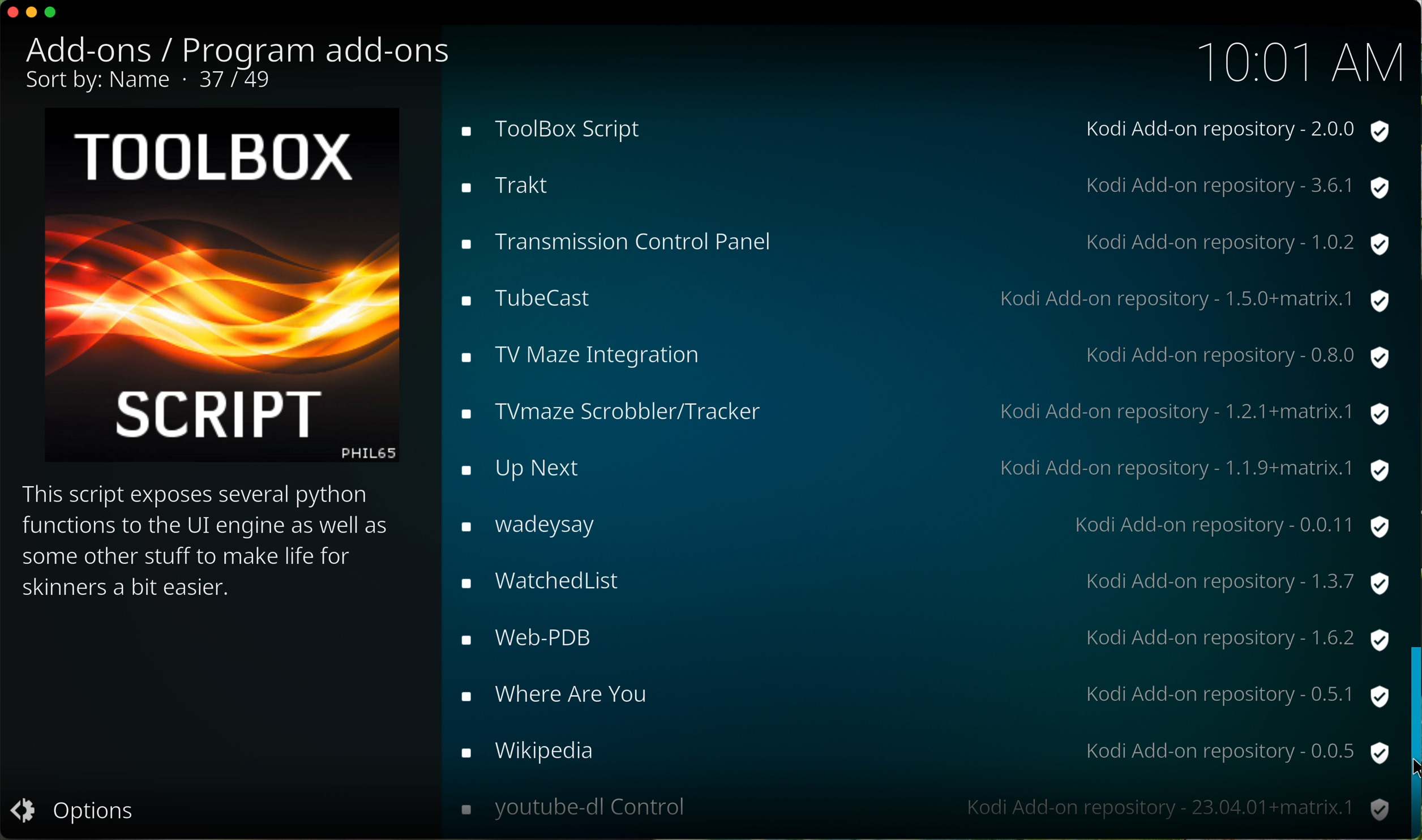  I want to click on wadeysay, so click(922, 525).